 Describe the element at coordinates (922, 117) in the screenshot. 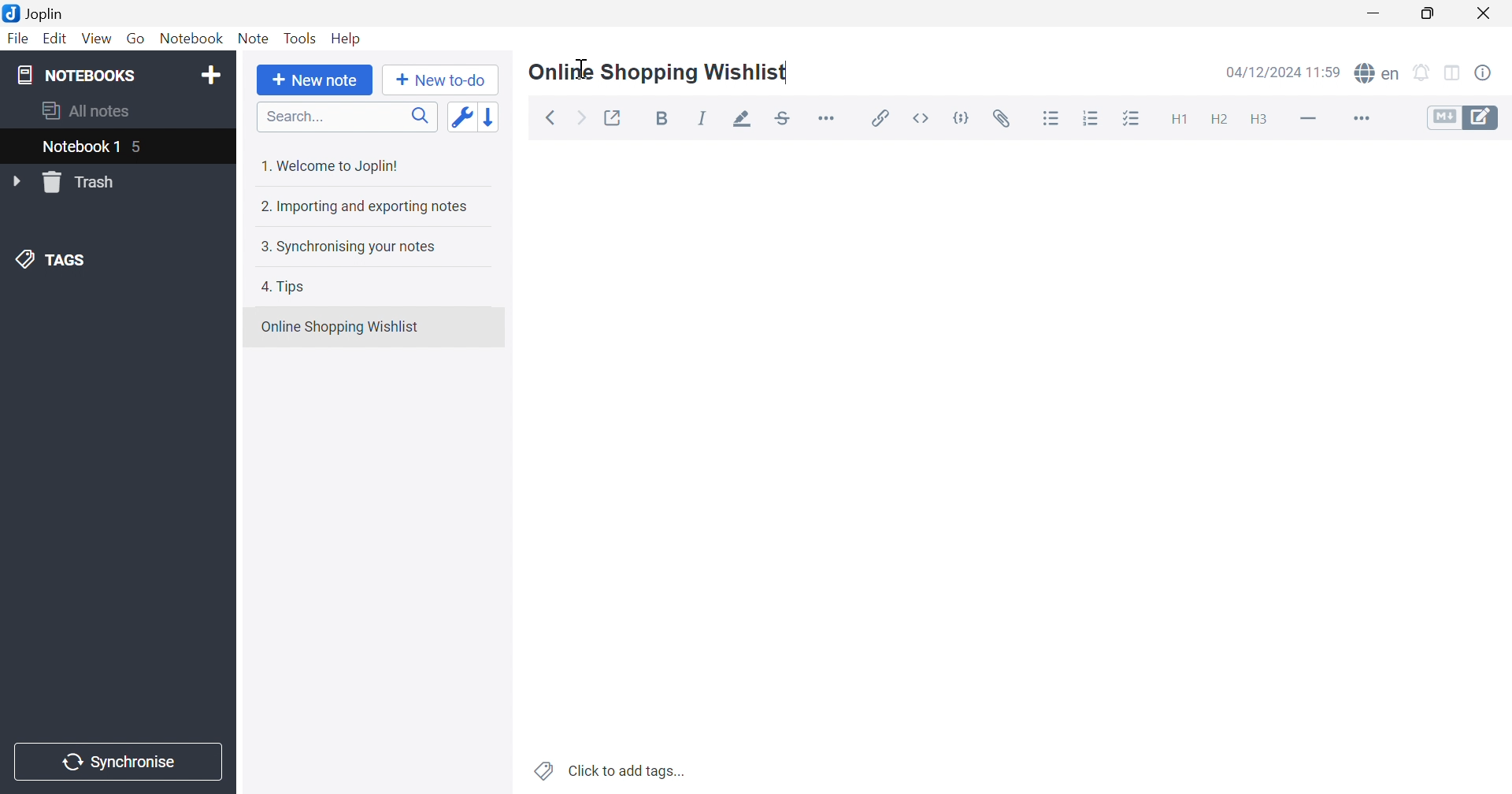

I see `Inline code` at that location.